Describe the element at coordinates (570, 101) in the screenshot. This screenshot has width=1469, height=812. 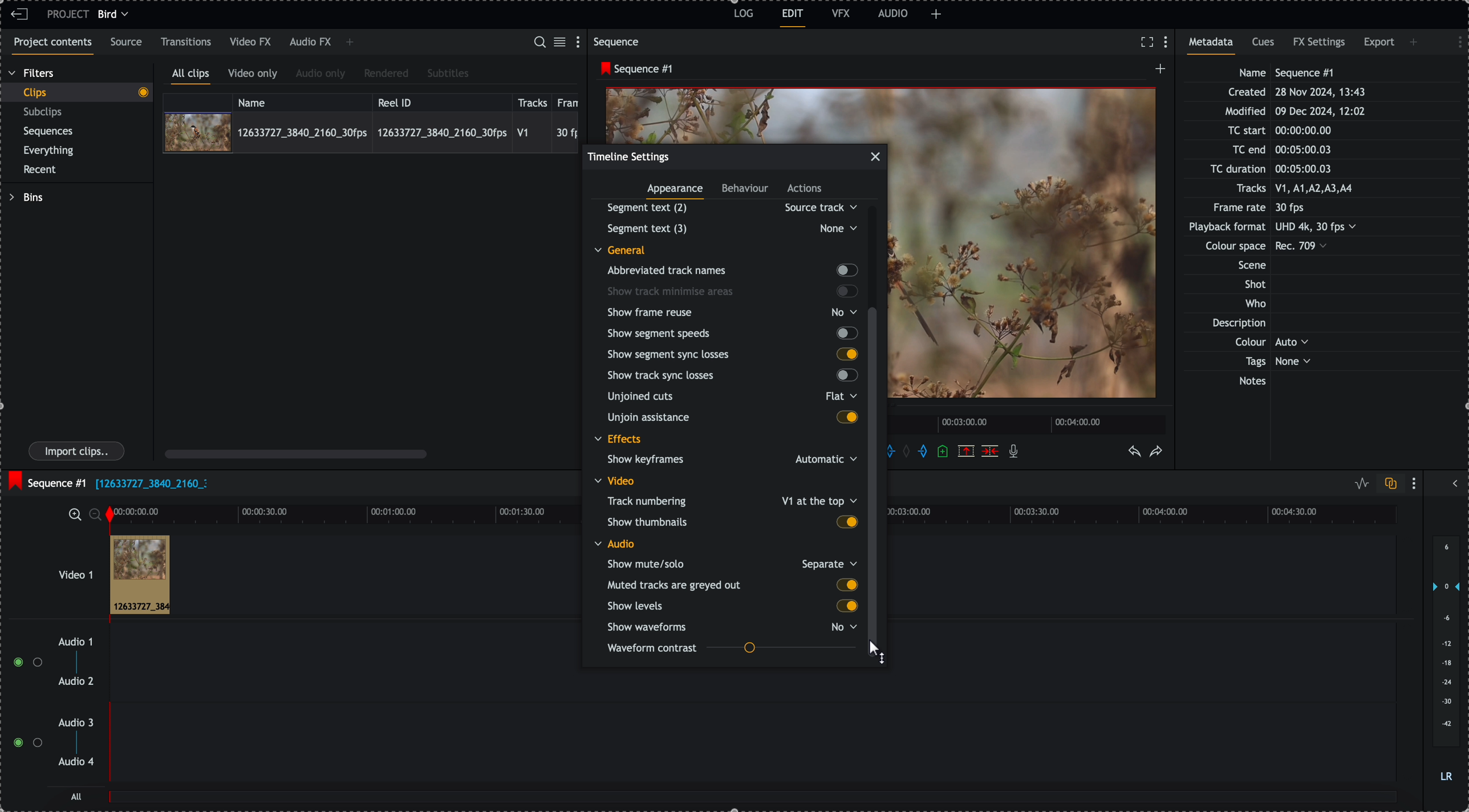
I see `frame` at that location.